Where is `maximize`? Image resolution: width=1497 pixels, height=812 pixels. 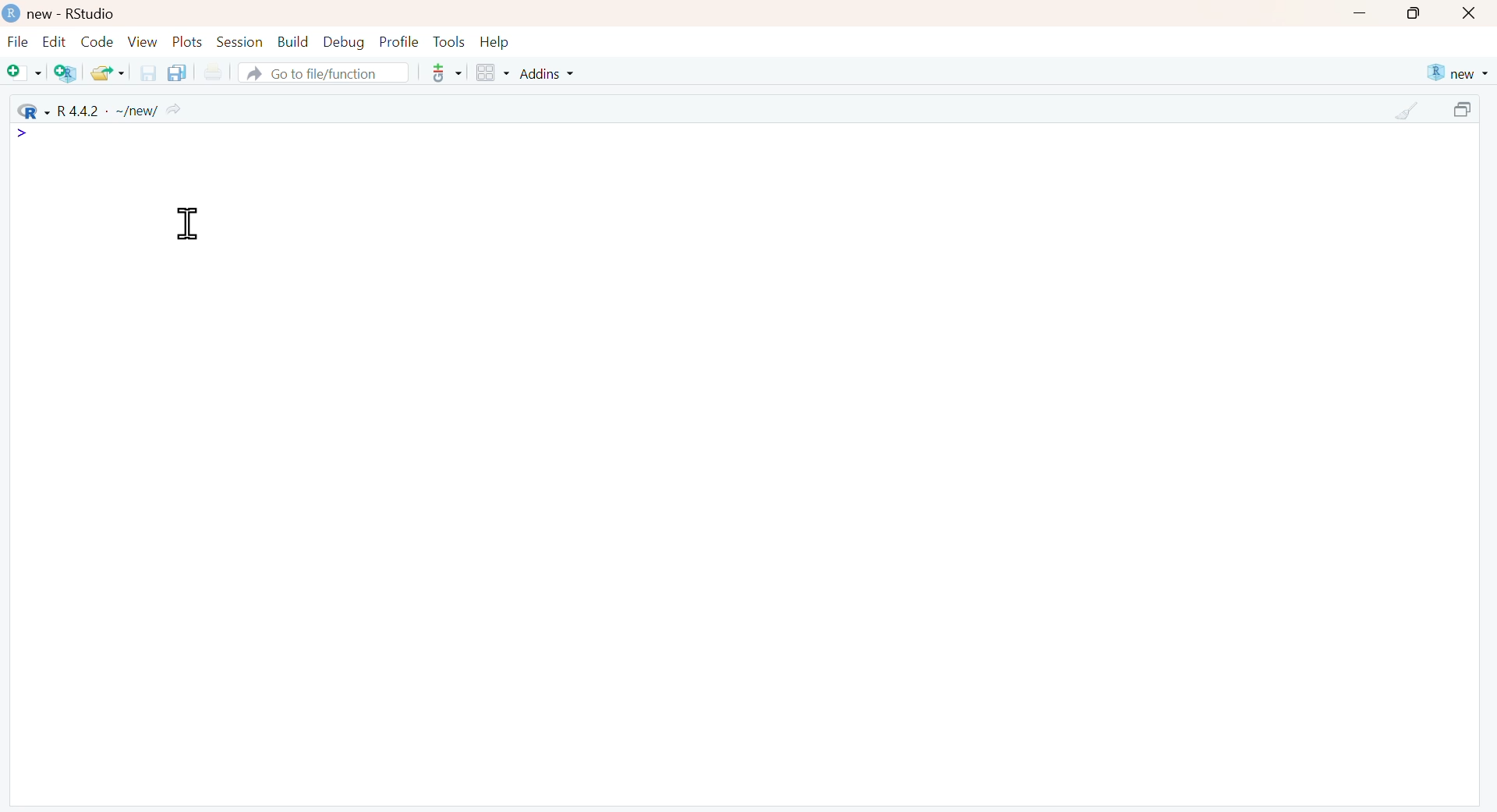
maximize is located at coordinates (1466, 110).